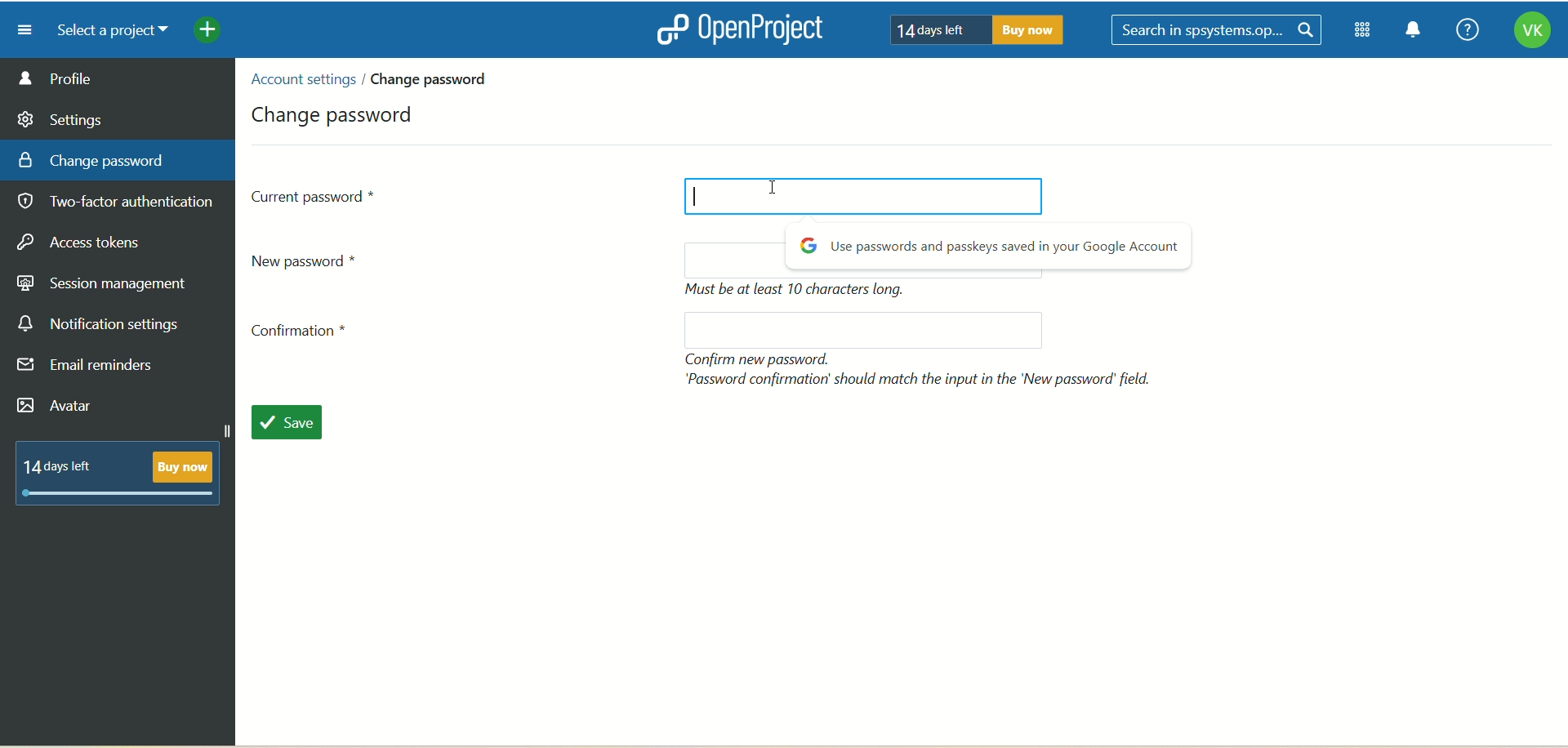  What do you see at coordinates (312, 260) in the screenshot?
I see `new password` at bounding box center [312, 260].